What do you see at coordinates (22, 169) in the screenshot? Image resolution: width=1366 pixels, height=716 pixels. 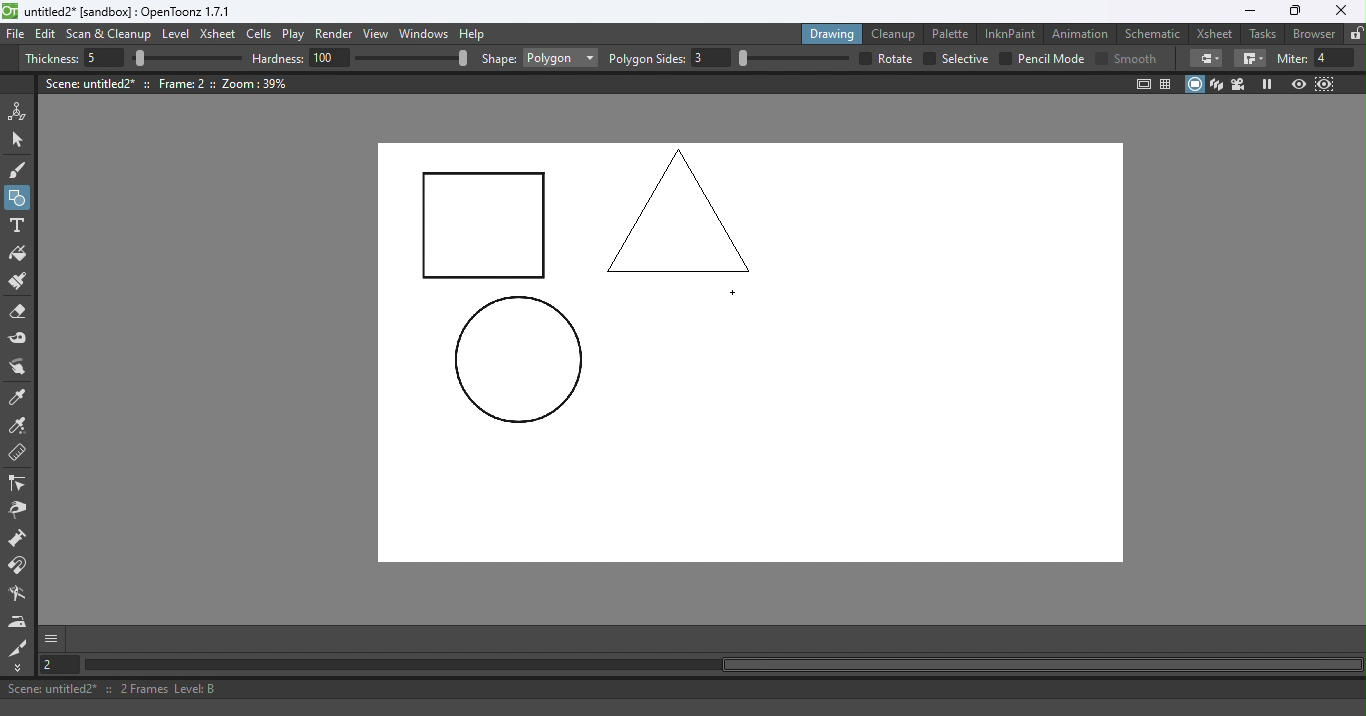 I see `Brush tool` at bounding box center [22, 169].